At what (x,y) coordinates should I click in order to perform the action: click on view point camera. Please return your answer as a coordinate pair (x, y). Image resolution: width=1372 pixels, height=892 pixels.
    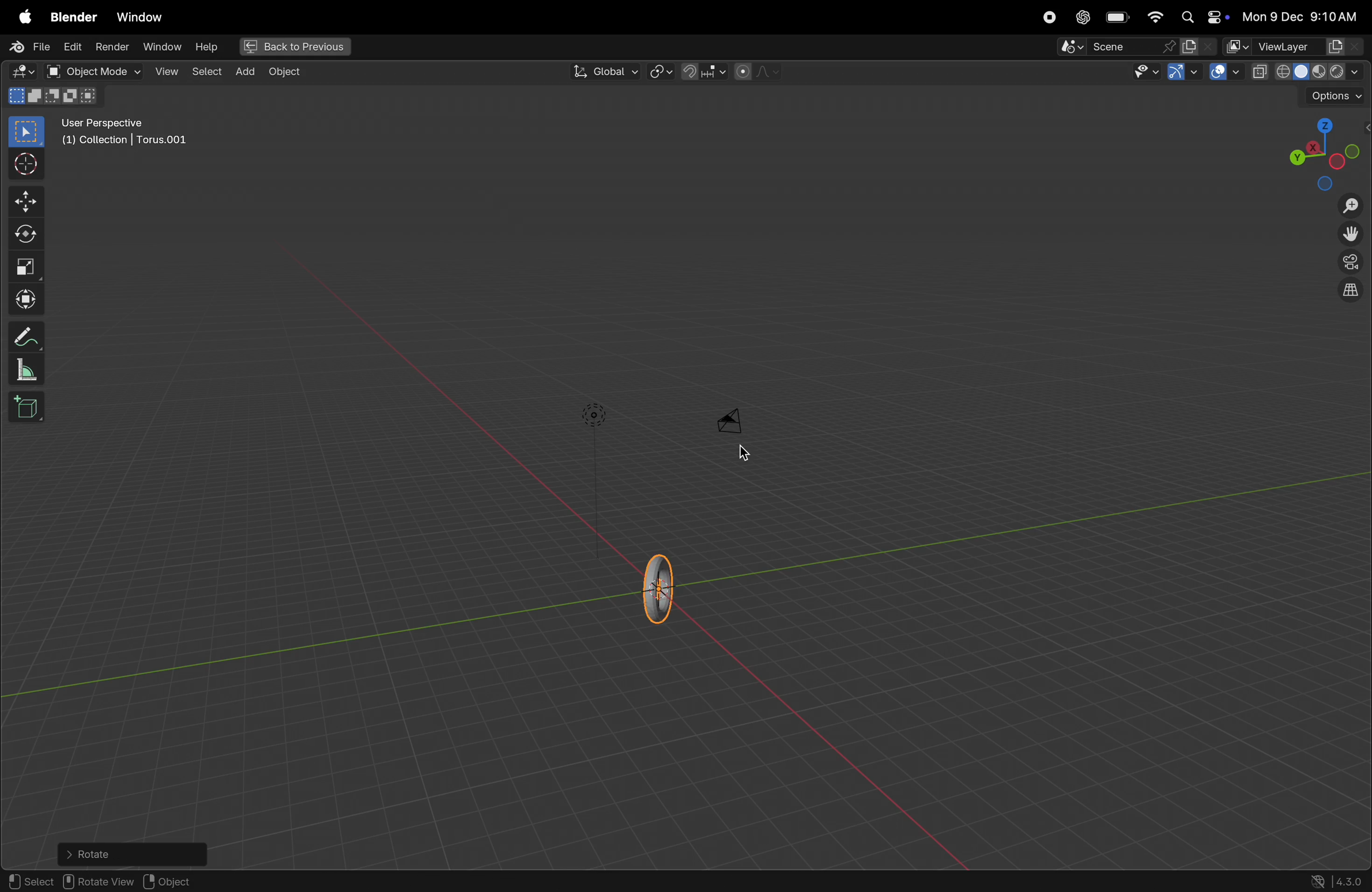
    Looking at the image, I should click on (1351, 263).